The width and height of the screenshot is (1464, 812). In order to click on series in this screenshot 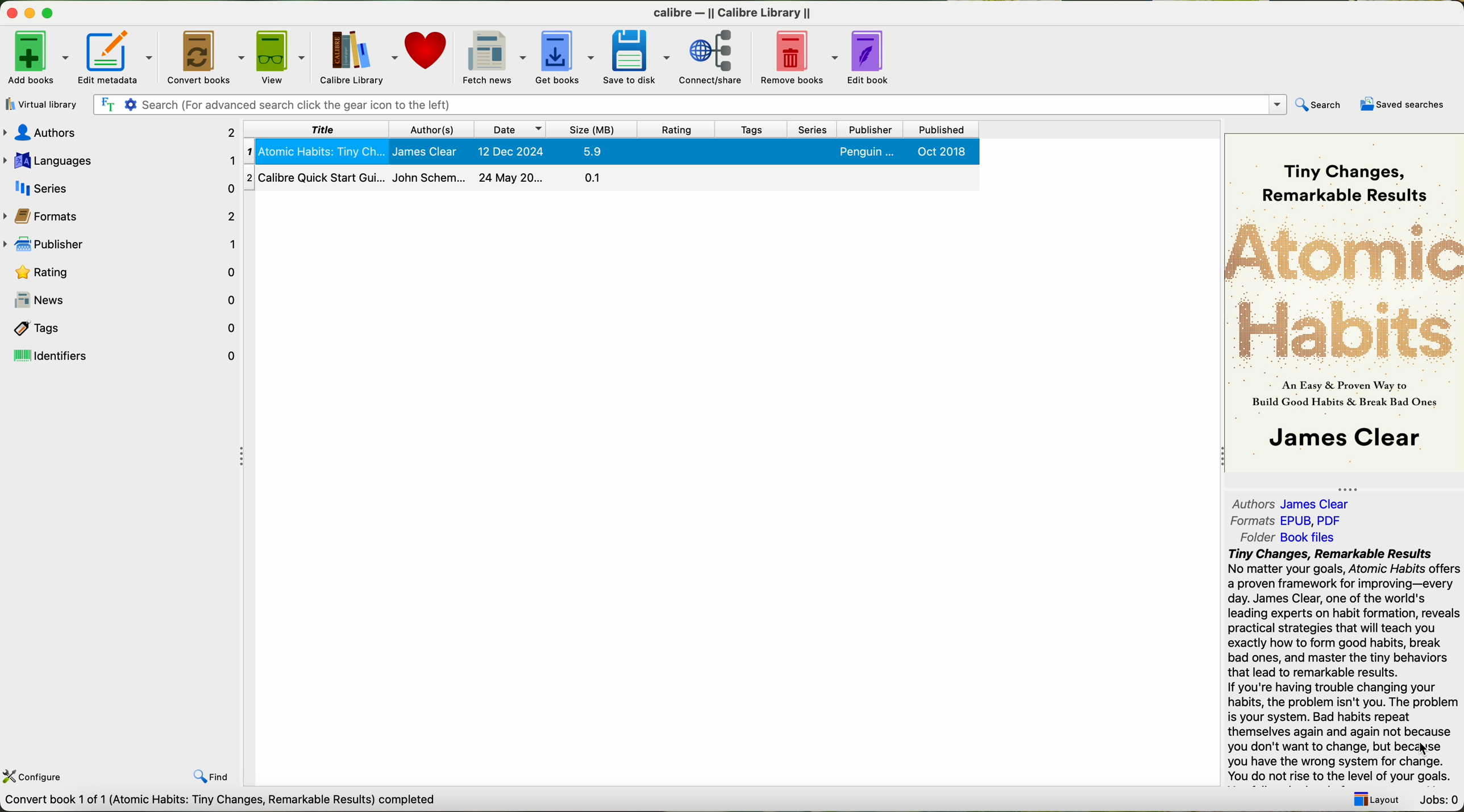, I will do `click(119, 187)`.